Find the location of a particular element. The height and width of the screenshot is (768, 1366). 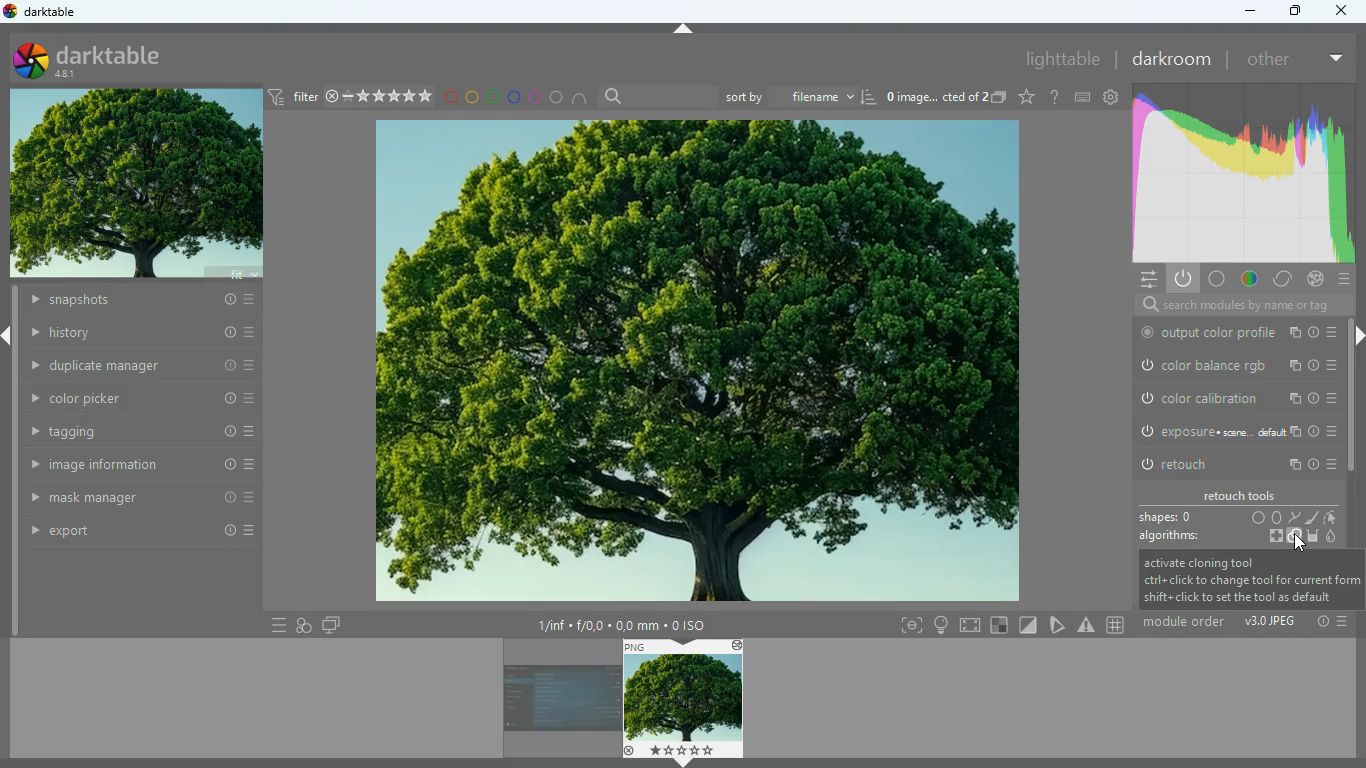

menu is located at coordinates (1342, 278).